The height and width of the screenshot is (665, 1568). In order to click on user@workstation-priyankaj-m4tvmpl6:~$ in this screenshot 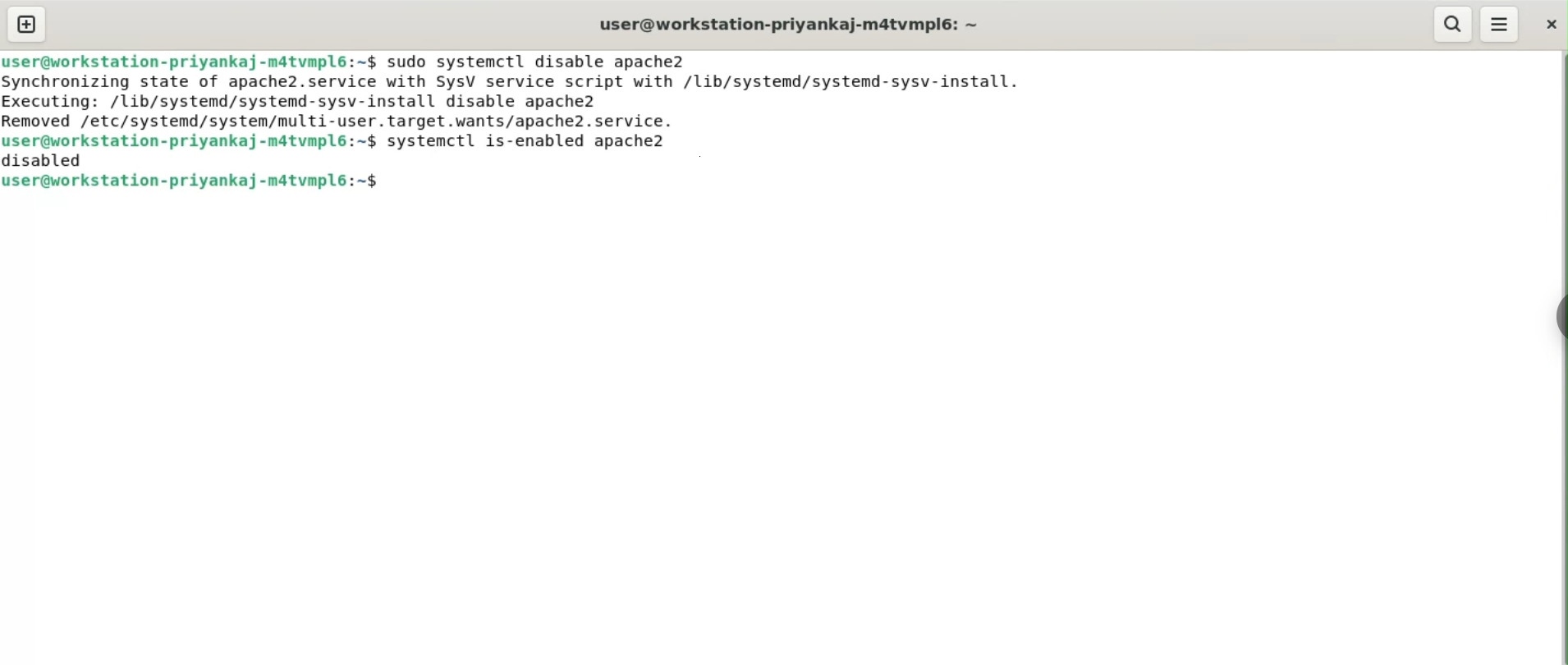, I will do `click(189, 140)`.